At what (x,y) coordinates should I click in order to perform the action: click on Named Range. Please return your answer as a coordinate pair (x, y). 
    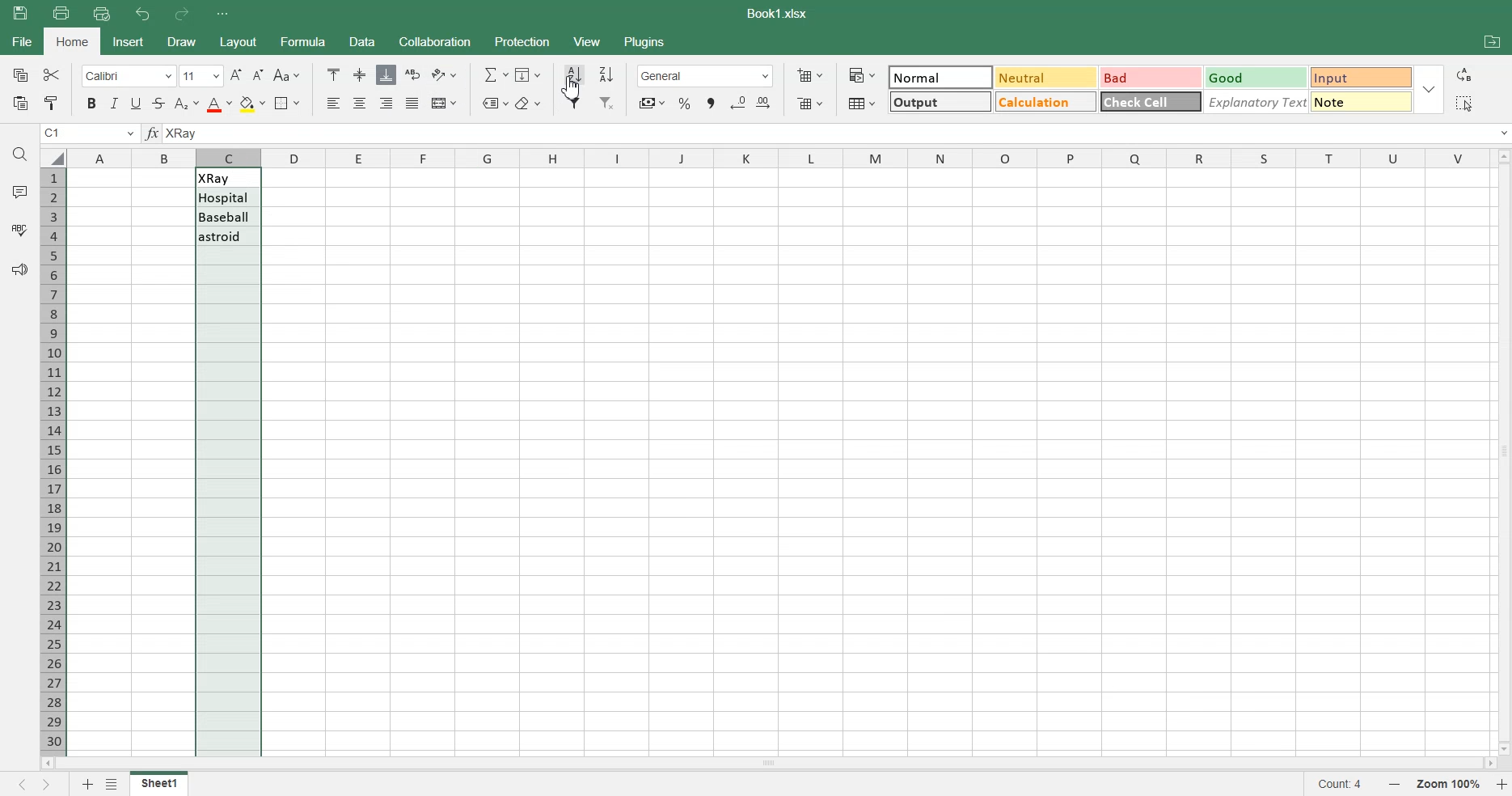
    Looking at the image, I should click on (492, 102).